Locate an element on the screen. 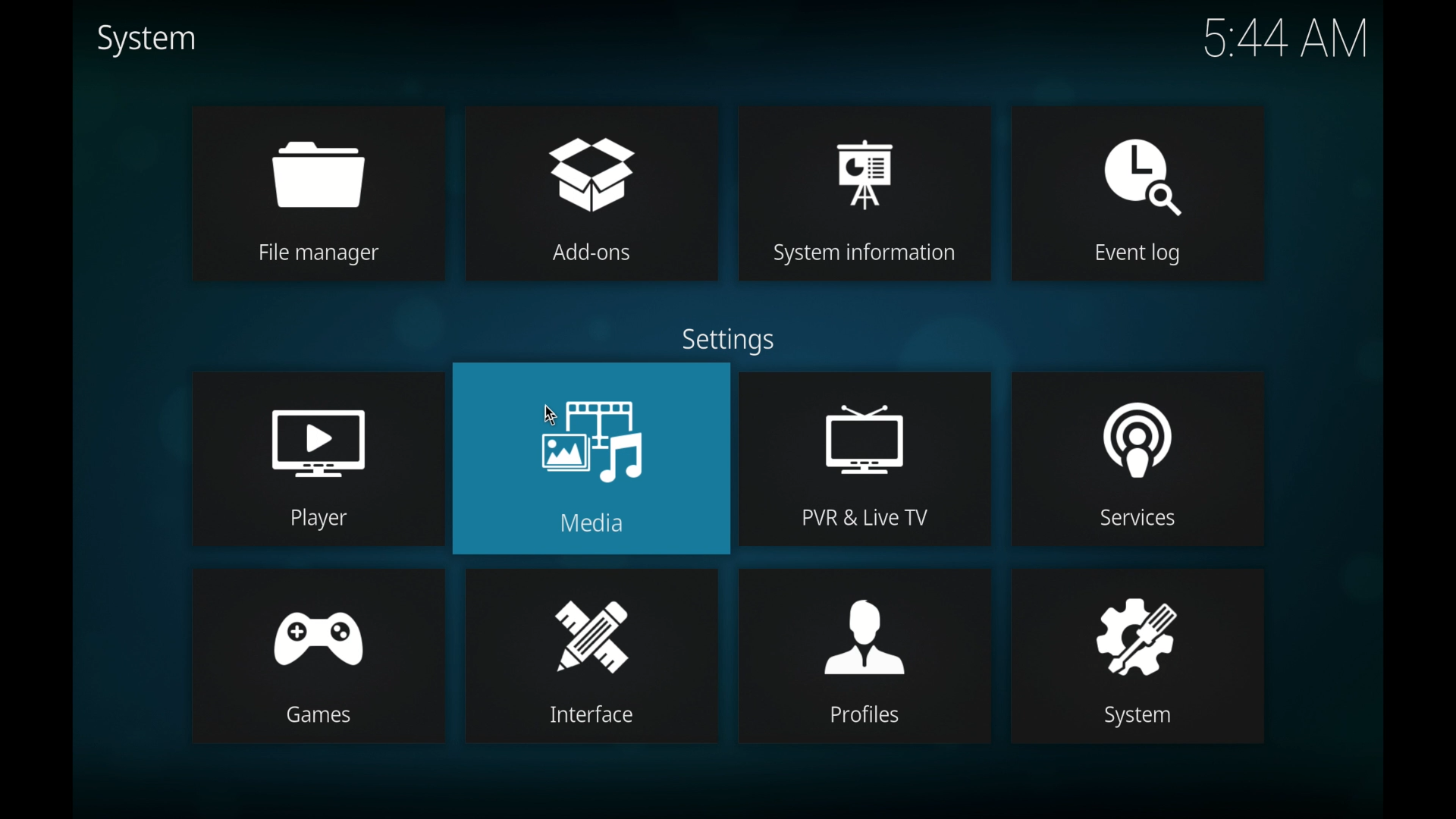 The width and height of the screenshot is (1456, 819). system is located at coordinates (1136, 657).